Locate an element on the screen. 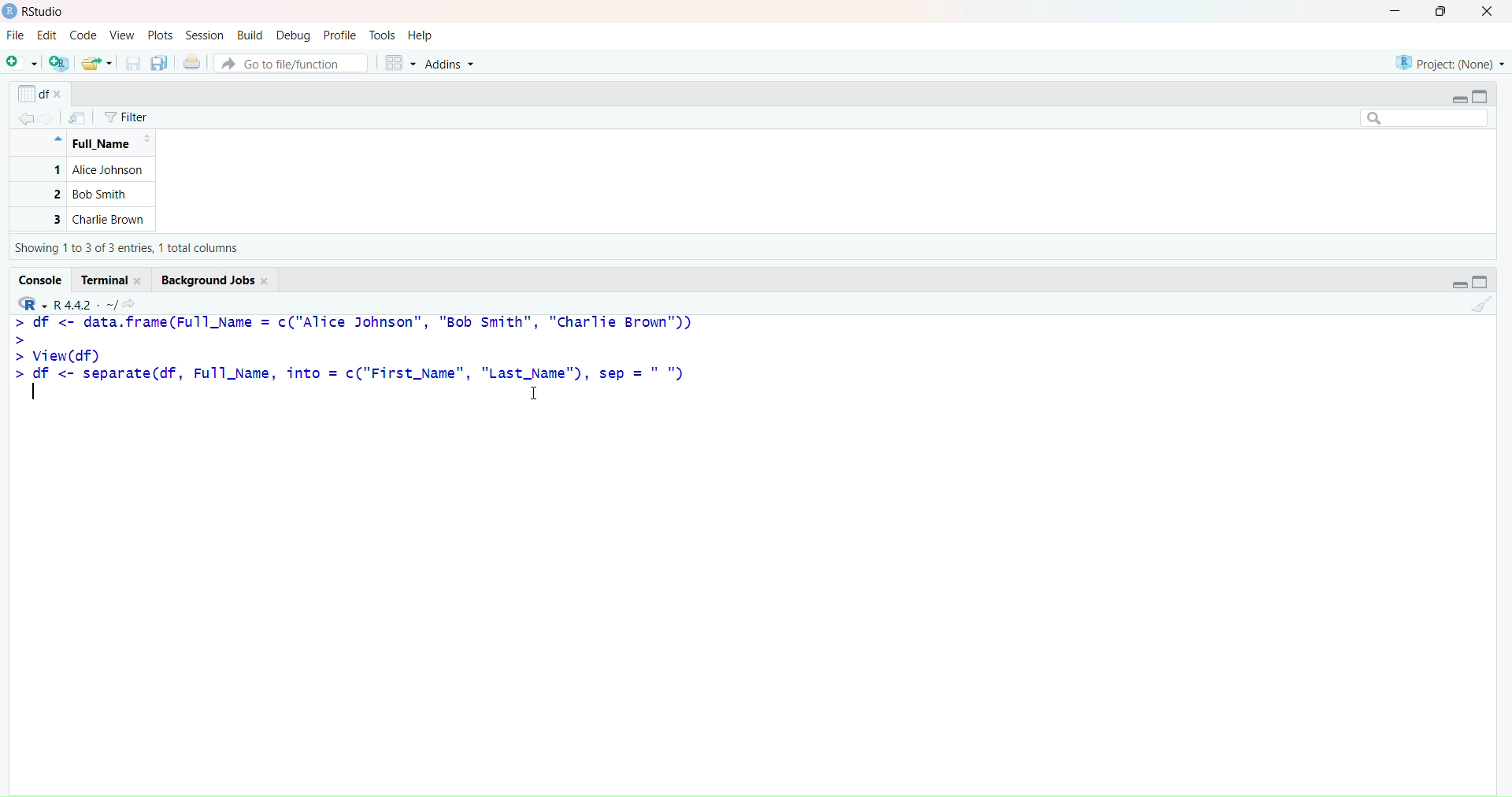 The height and width of the screenshot is (797, 1512). R is located at coordinates (31, 301).